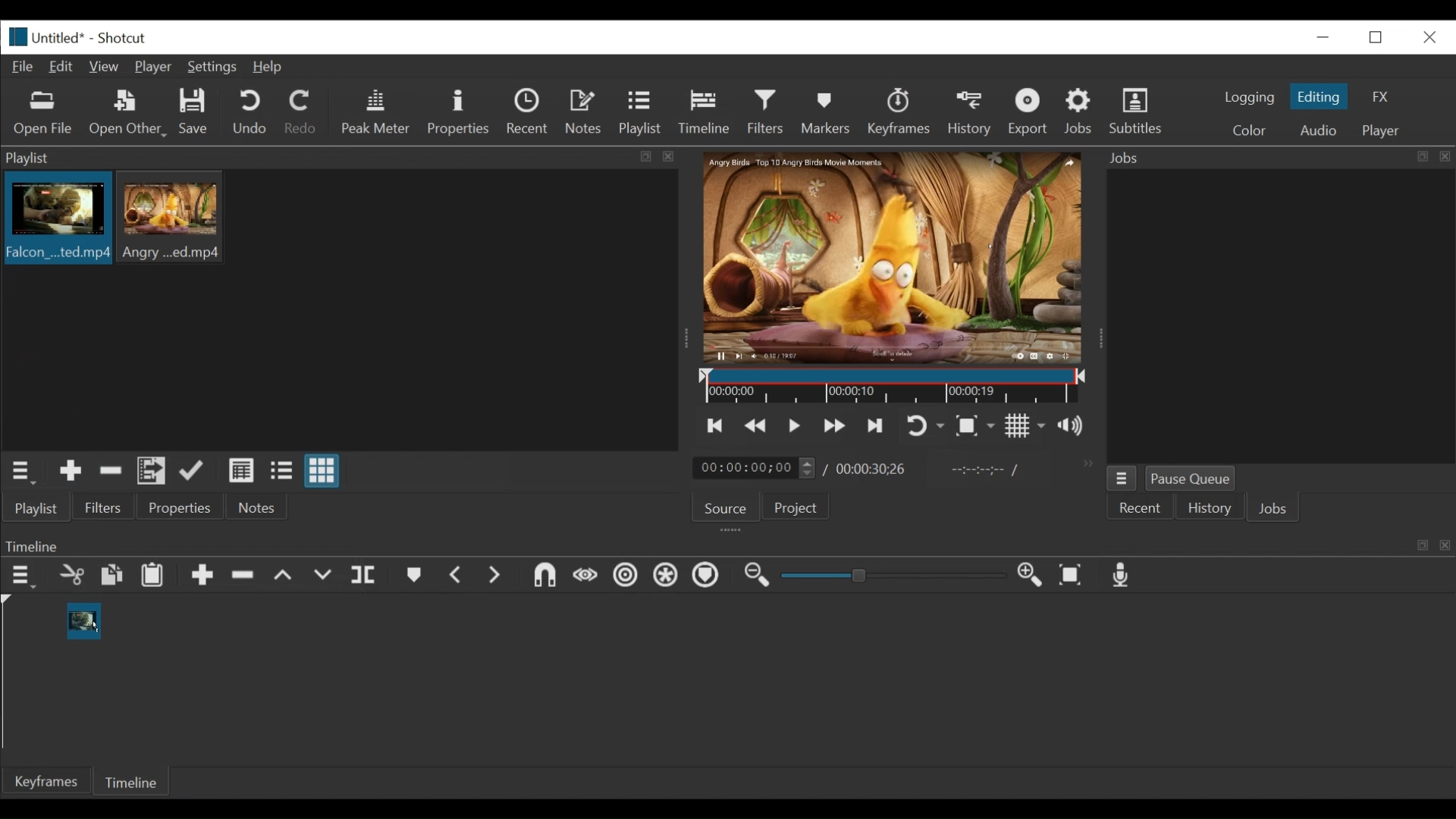  I want to click on play forward quickly, so click(836, 428).